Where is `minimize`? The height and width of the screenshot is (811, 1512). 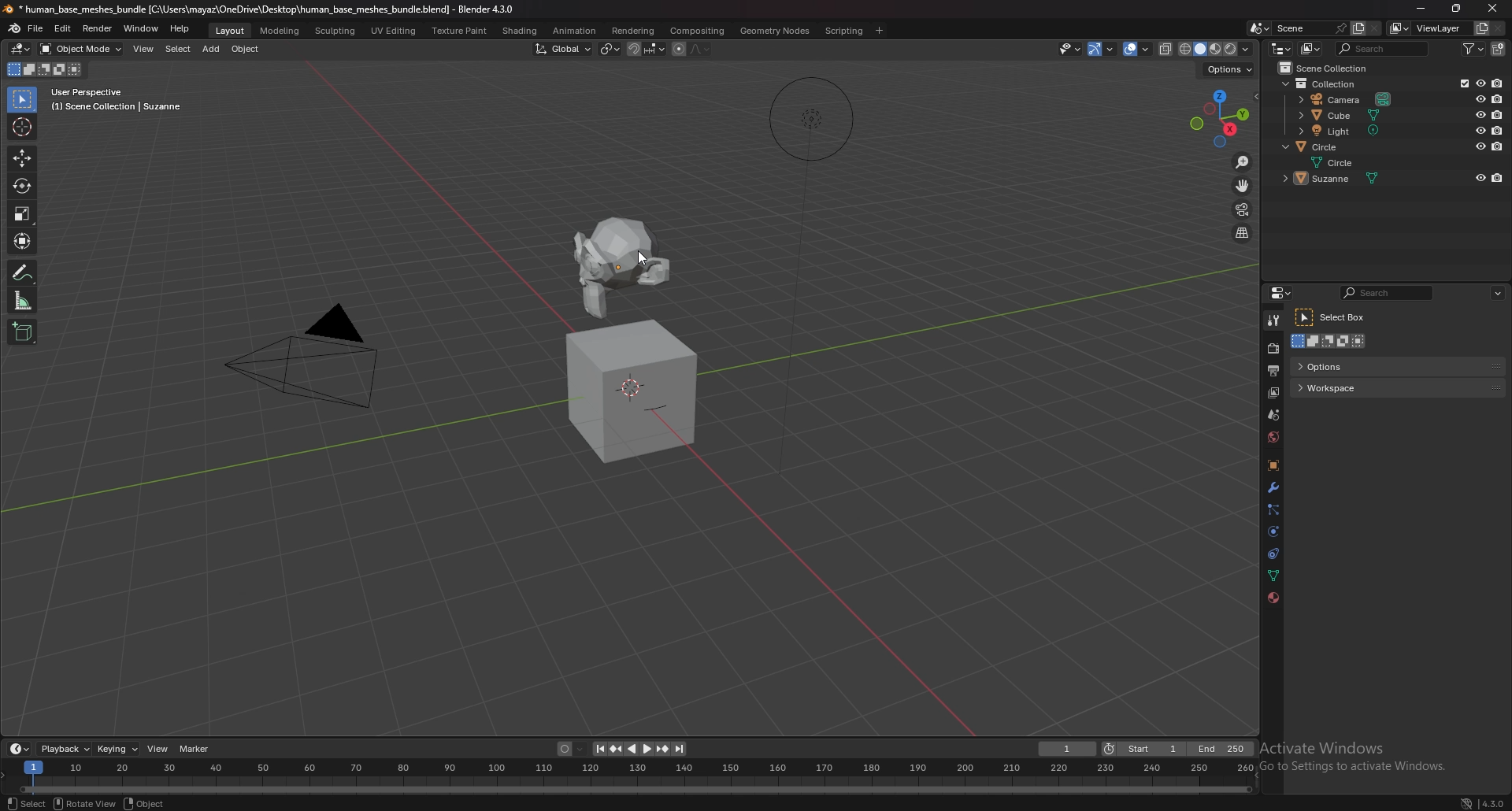
minimize is located at coordinates (1417, 8).